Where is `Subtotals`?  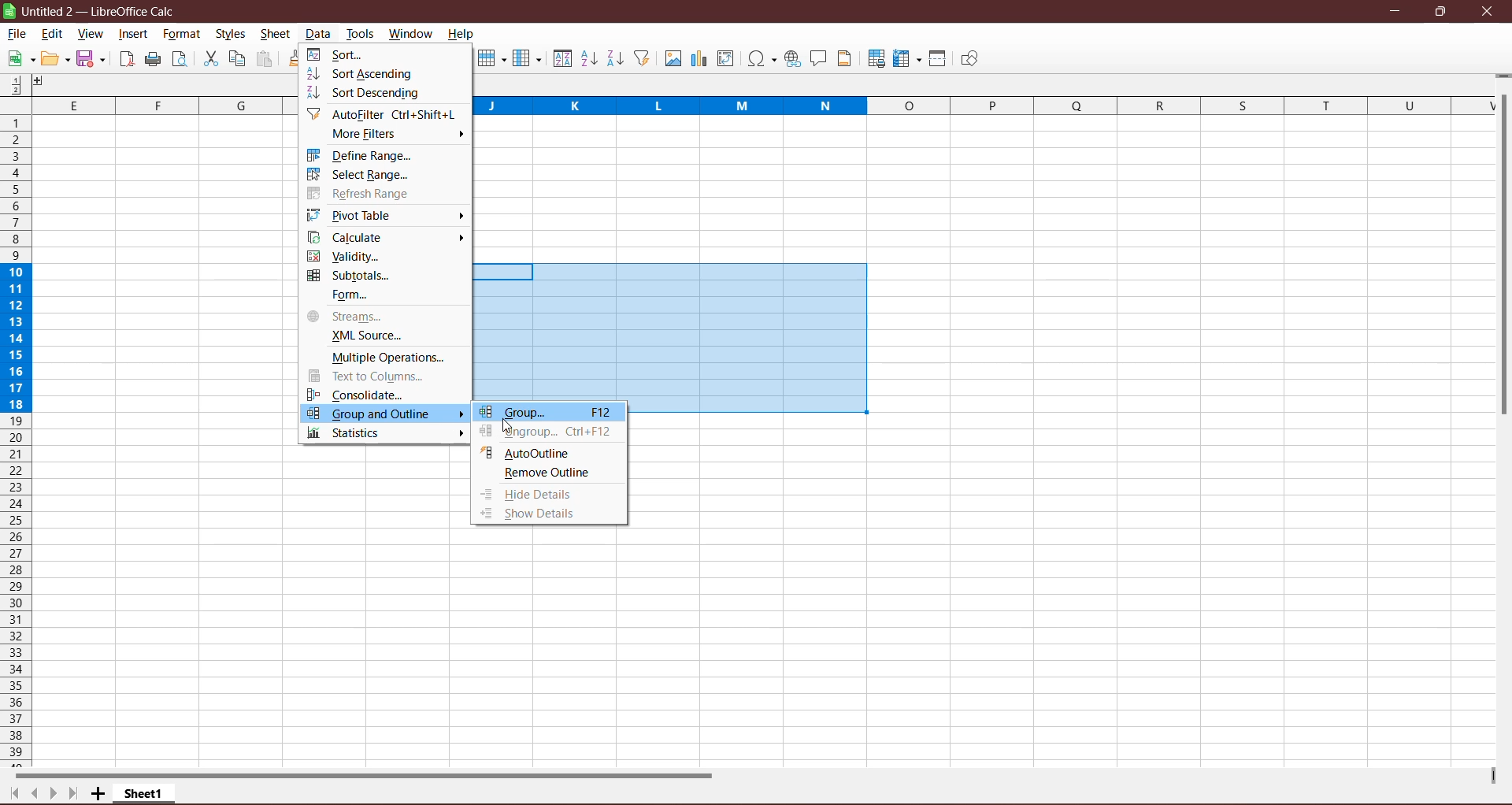
Subtotals is located at coordinates (353, 276).